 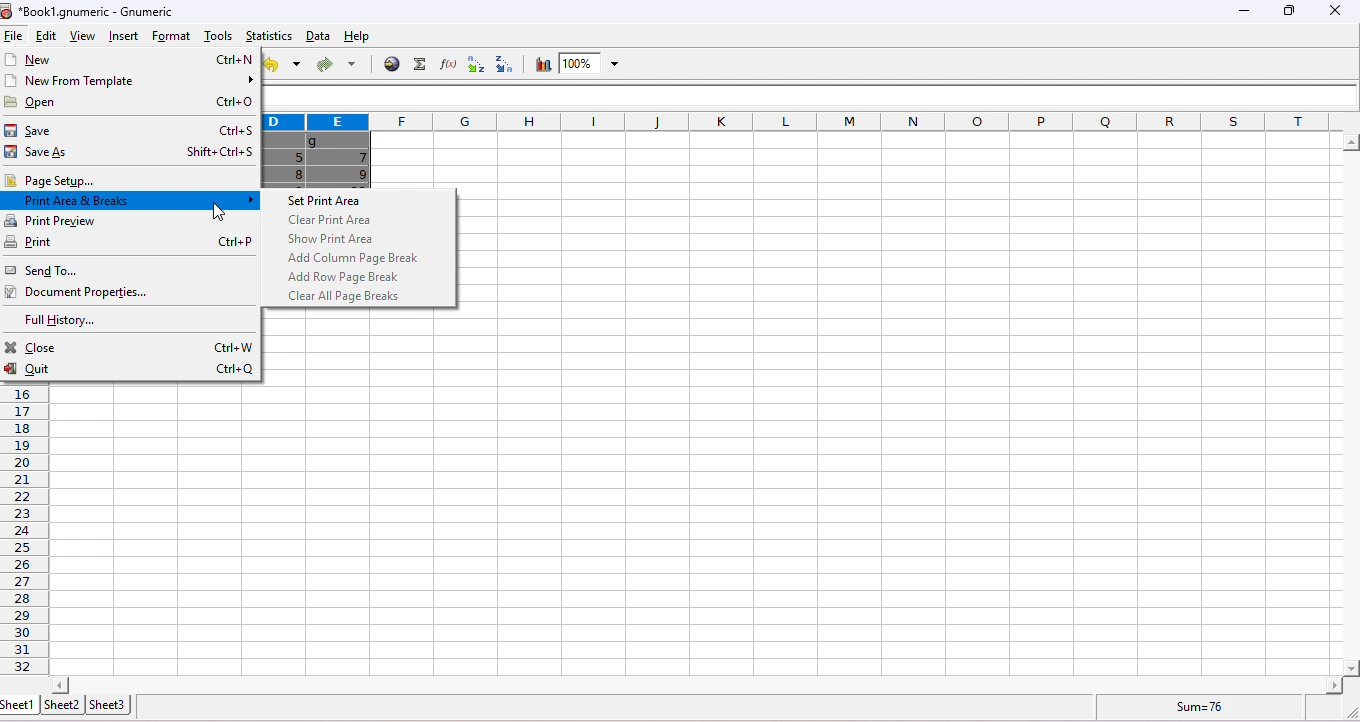 I want to click on add column page break, so click(x=355, y=258).